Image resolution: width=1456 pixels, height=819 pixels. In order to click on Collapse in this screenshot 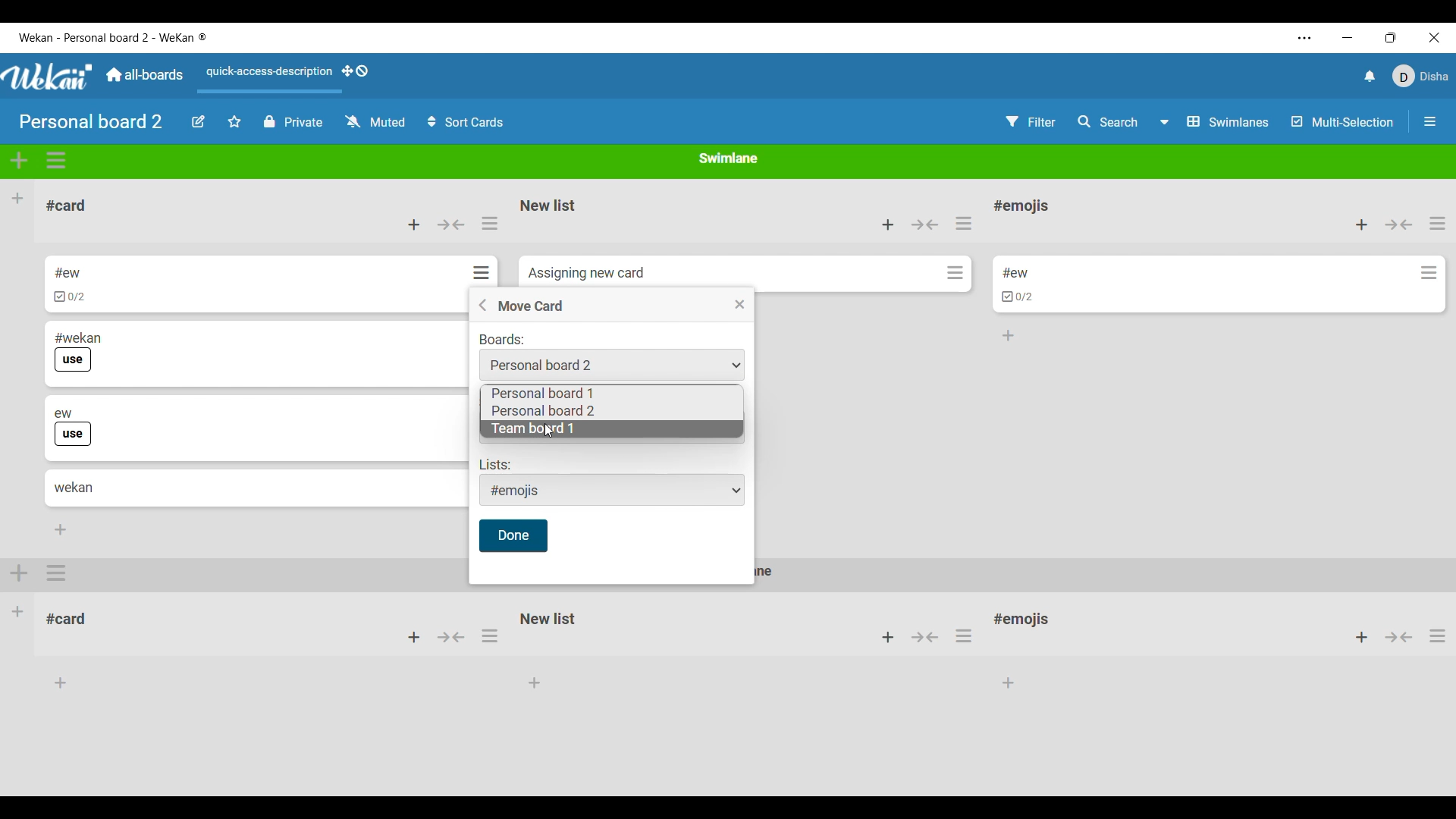, I will do `click(450, 224)`.